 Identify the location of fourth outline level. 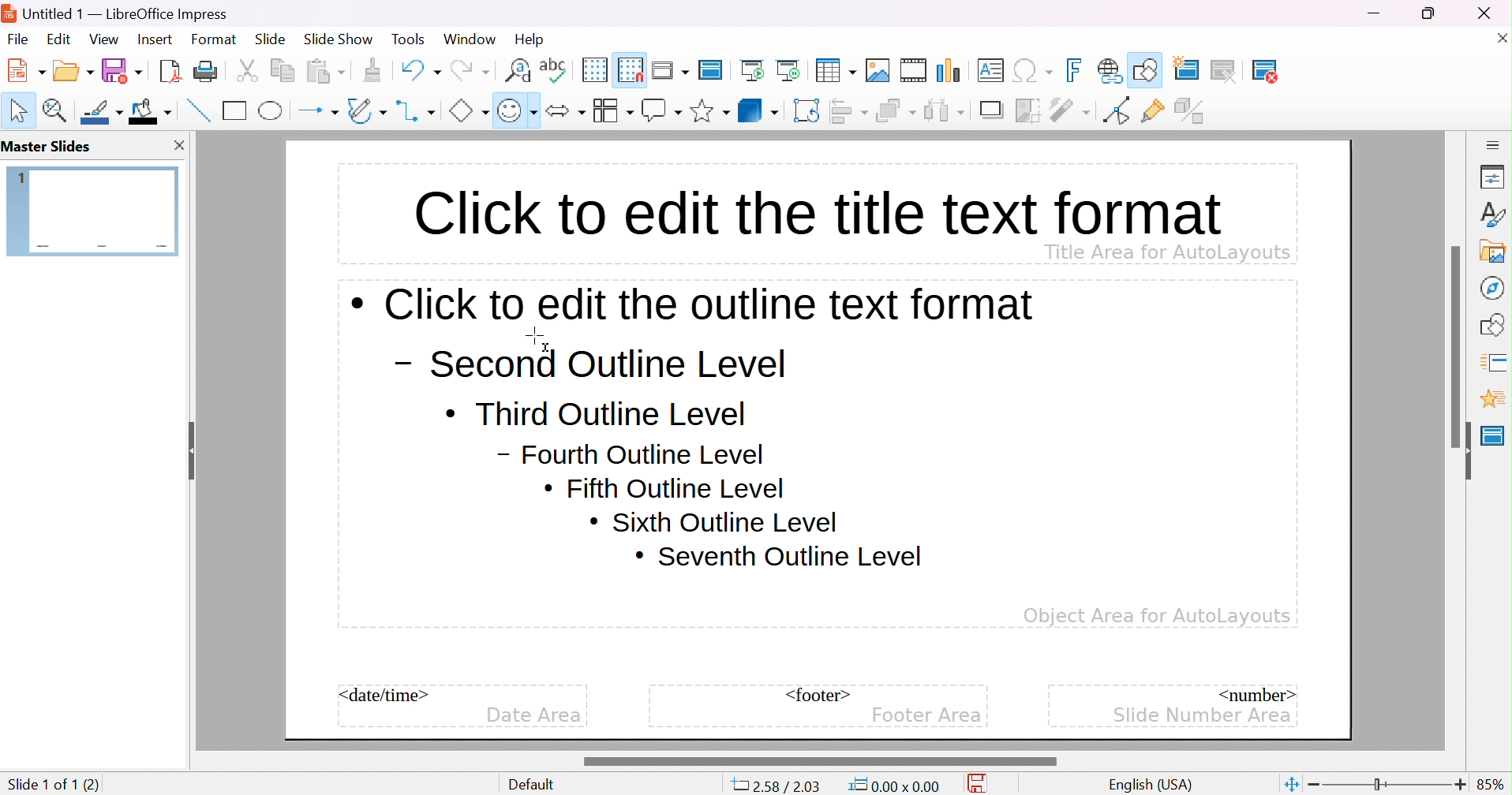
(631, 453).